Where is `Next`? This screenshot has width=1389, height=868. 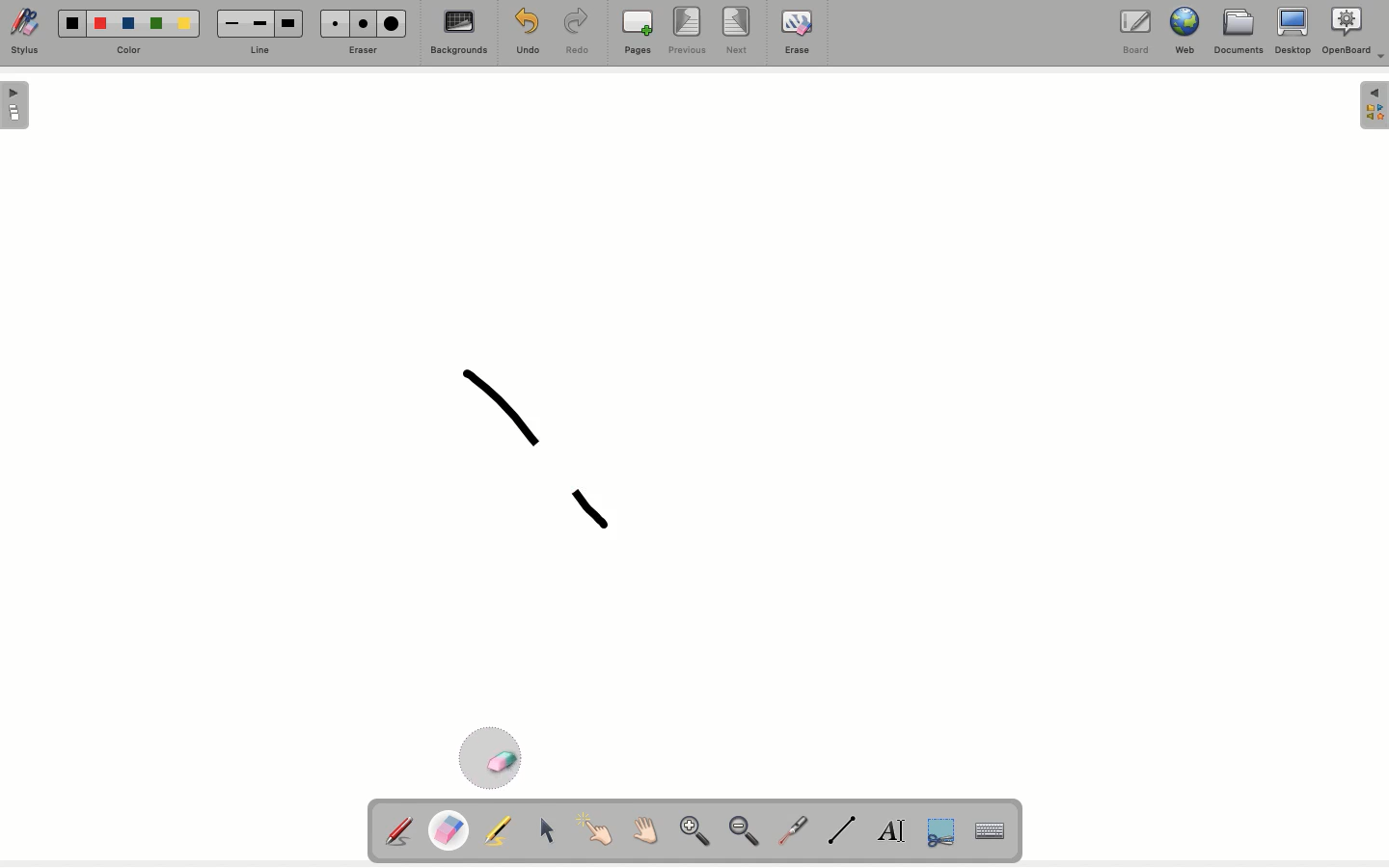
Next is located at coordinates (738, 30).